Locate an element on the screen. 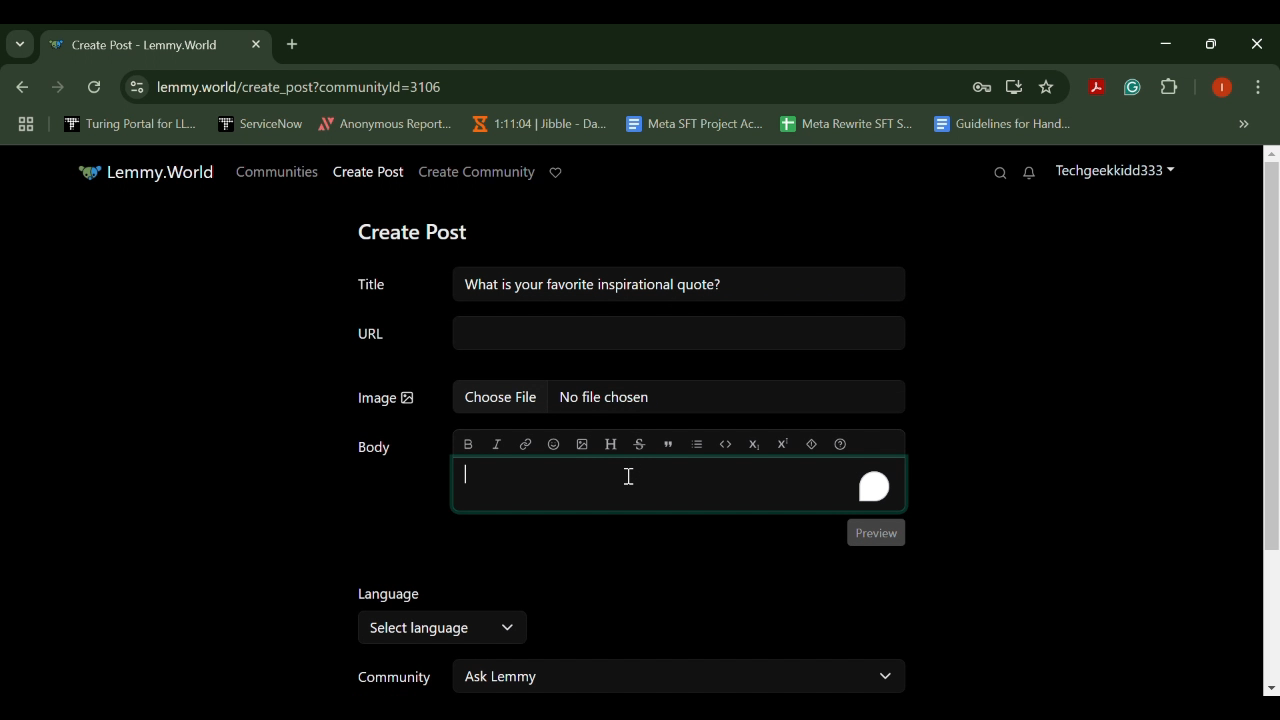 This screenshot has width=1280, height=720. Refresh Webpage is located at coordinates (96, 89).